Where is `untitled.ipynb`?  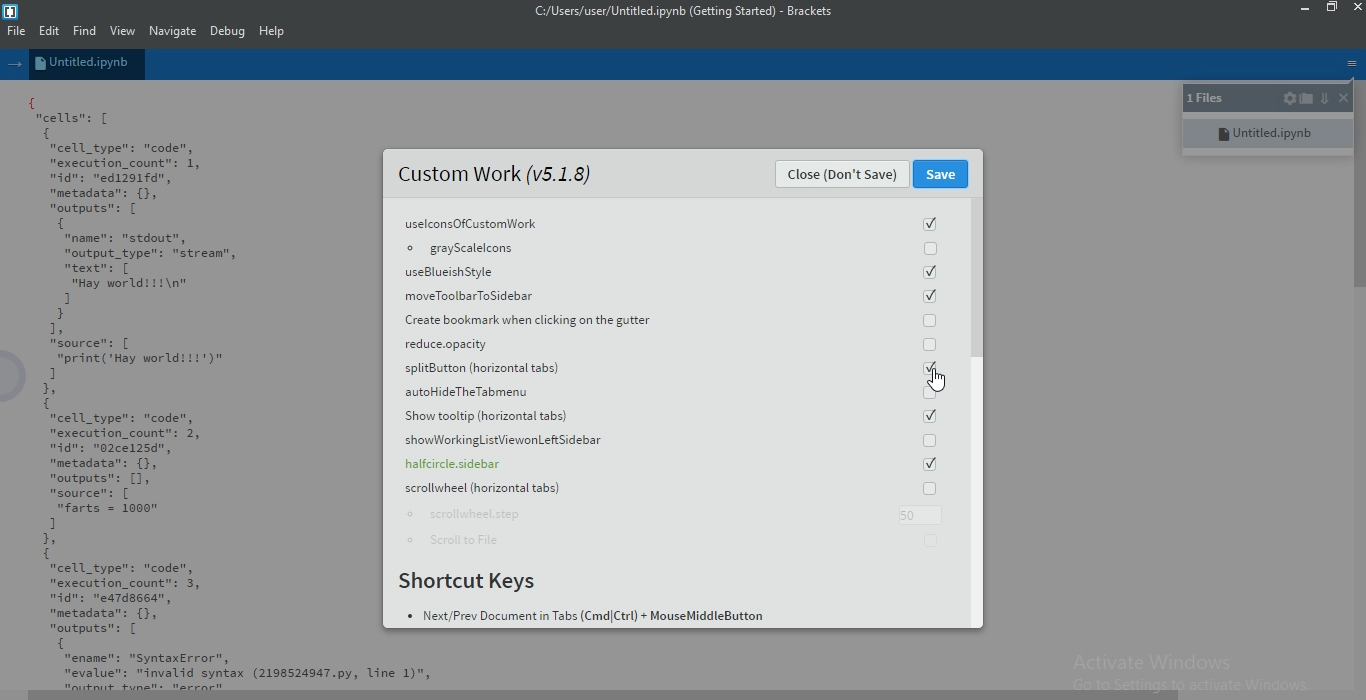
untitled.ipynb is located at coordinates (1265, 132).